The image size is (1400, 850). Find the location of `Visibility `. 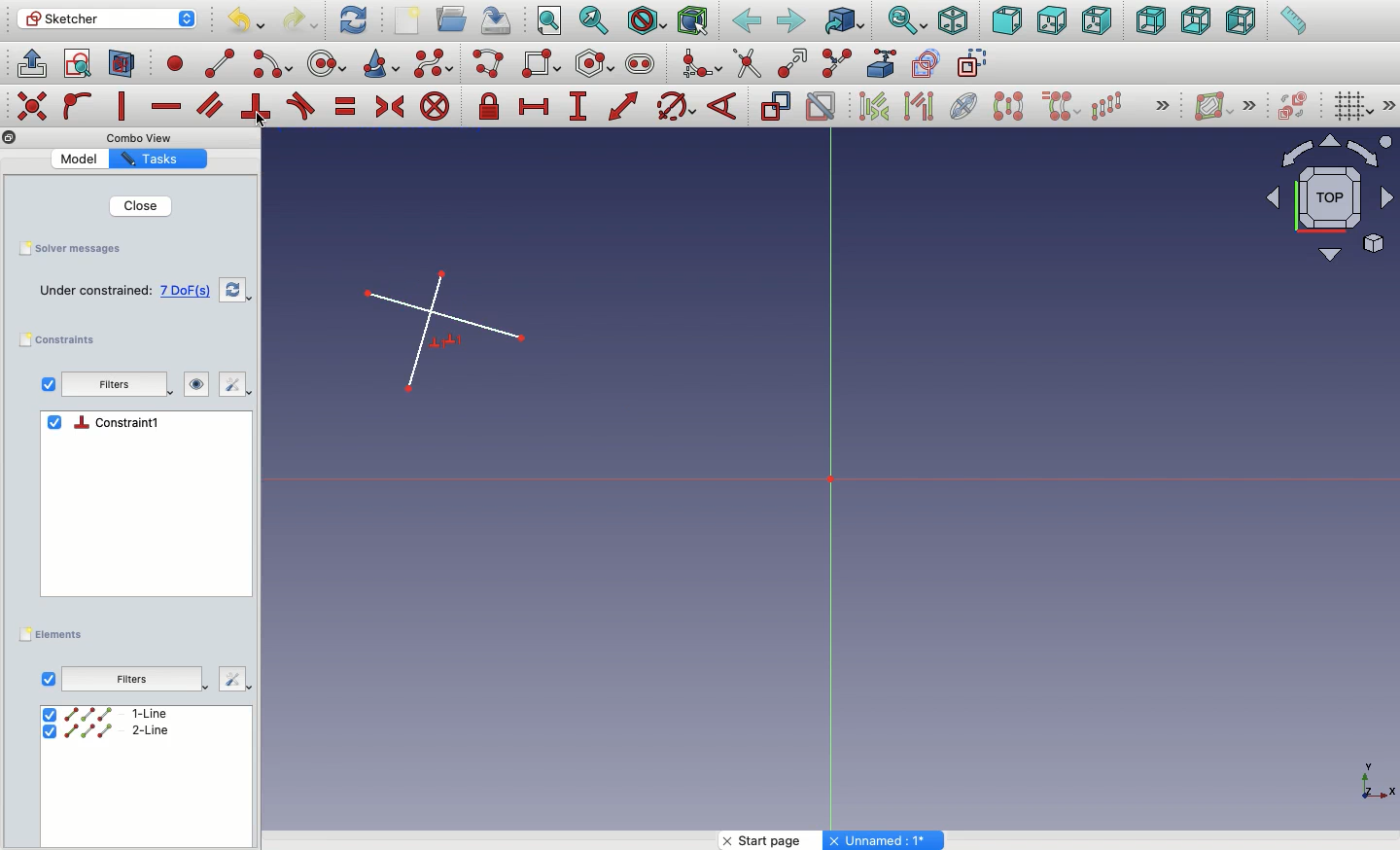

Visibility  is located at coordinates (188, 384).